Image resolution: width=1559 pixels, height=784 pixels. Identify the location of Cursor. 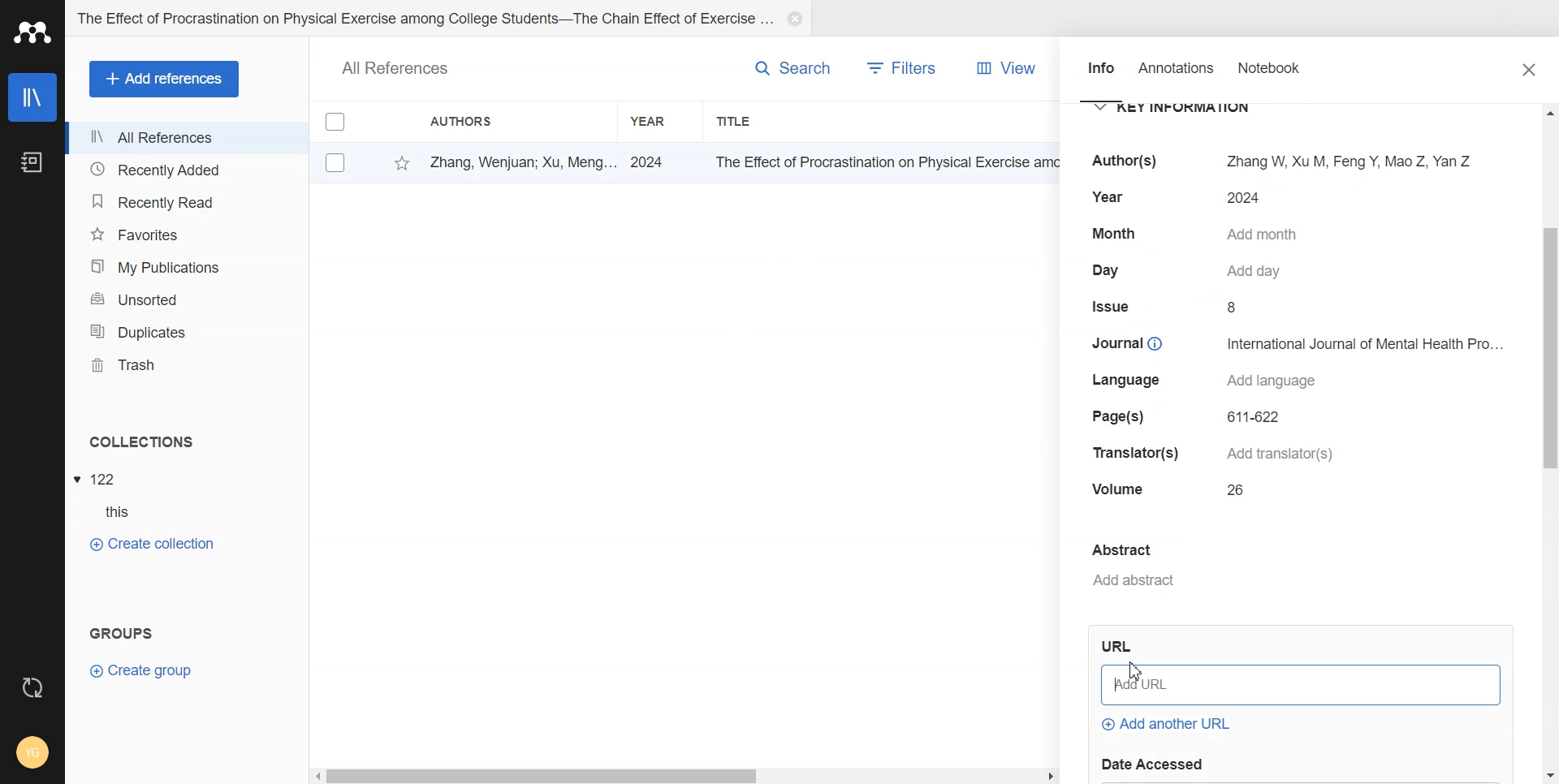
(1137, 672).